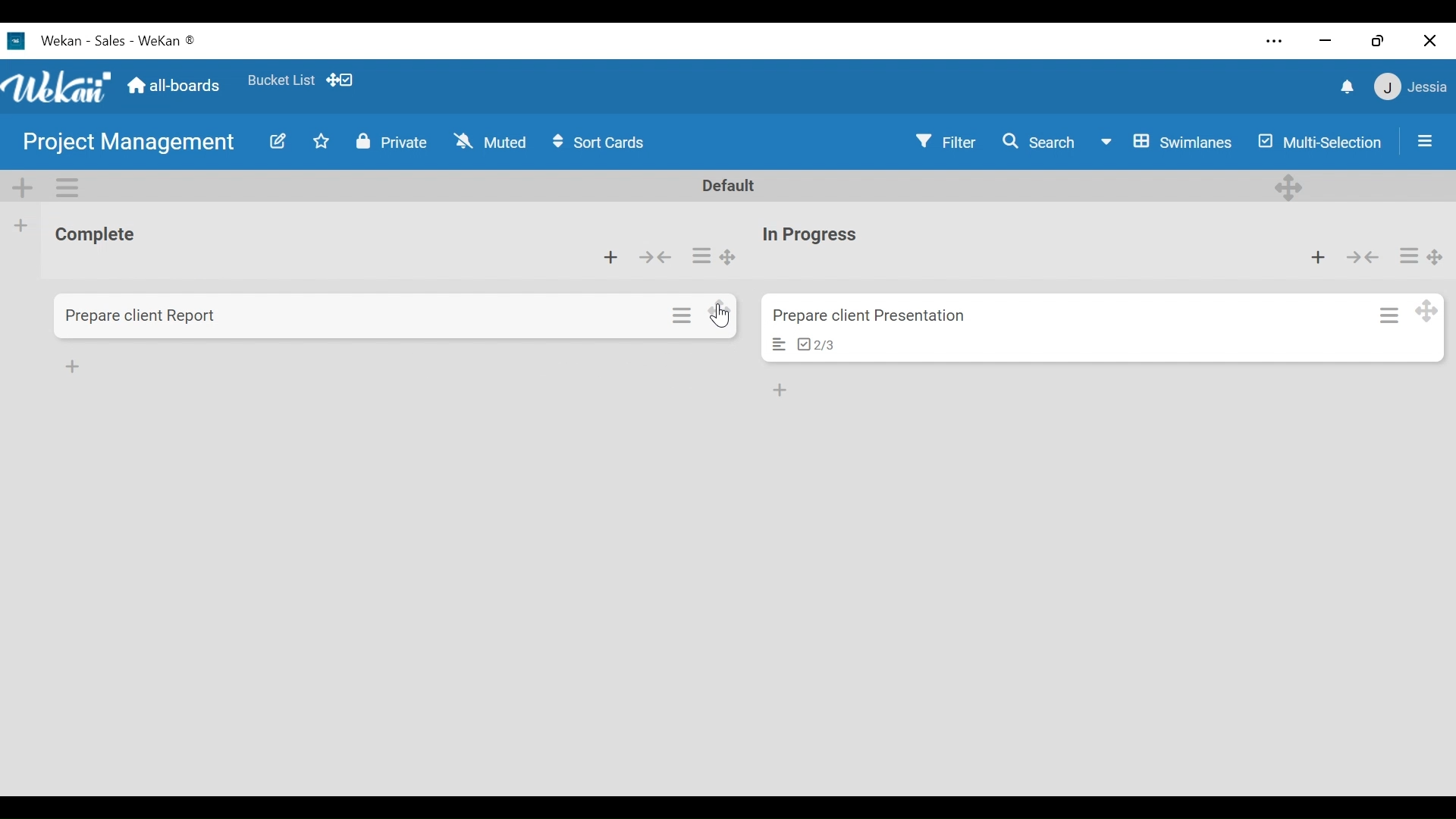  I want to click on Private, so click(393, 143).